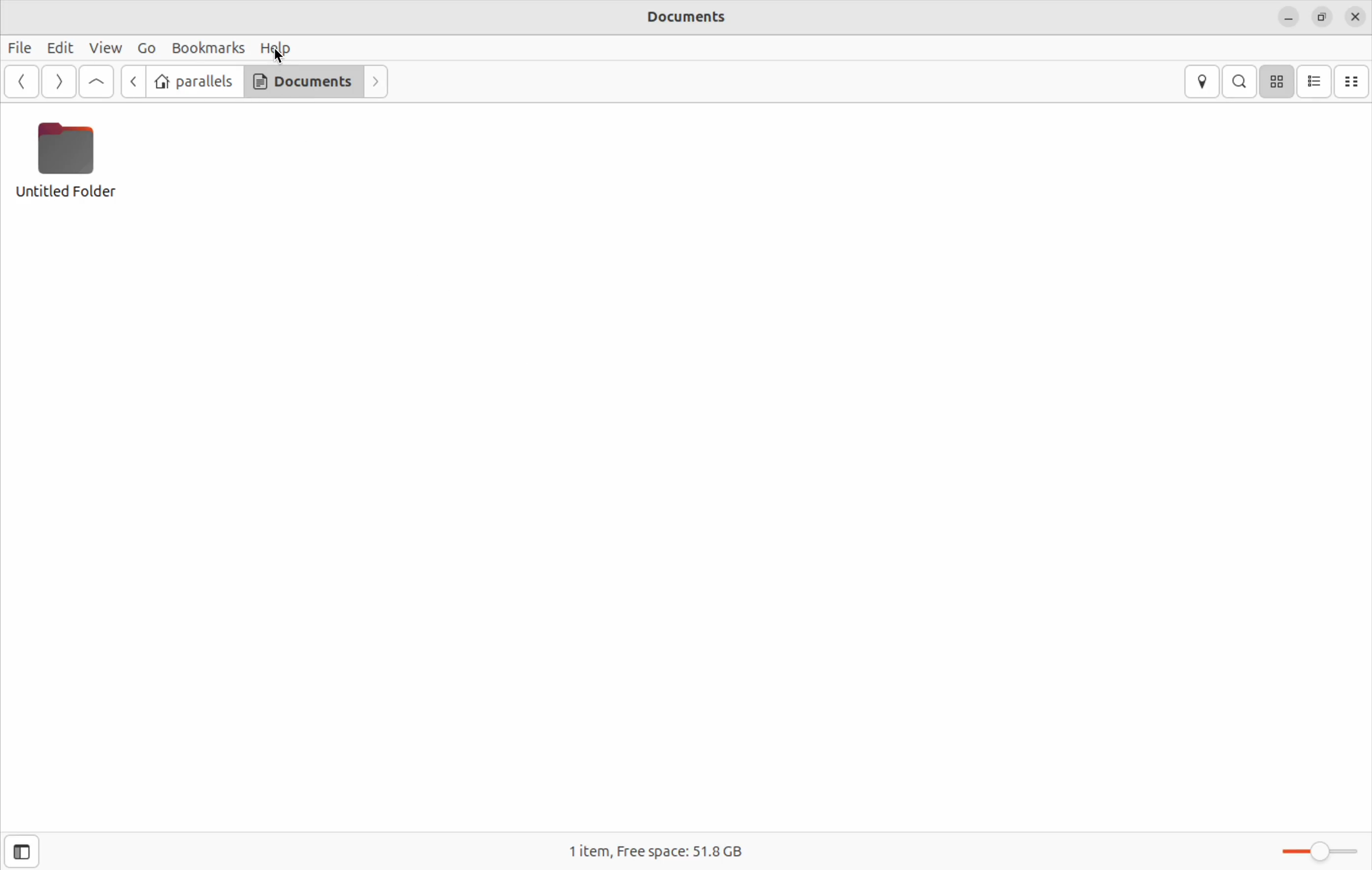  I want to click on list view, so click(1317, 81).